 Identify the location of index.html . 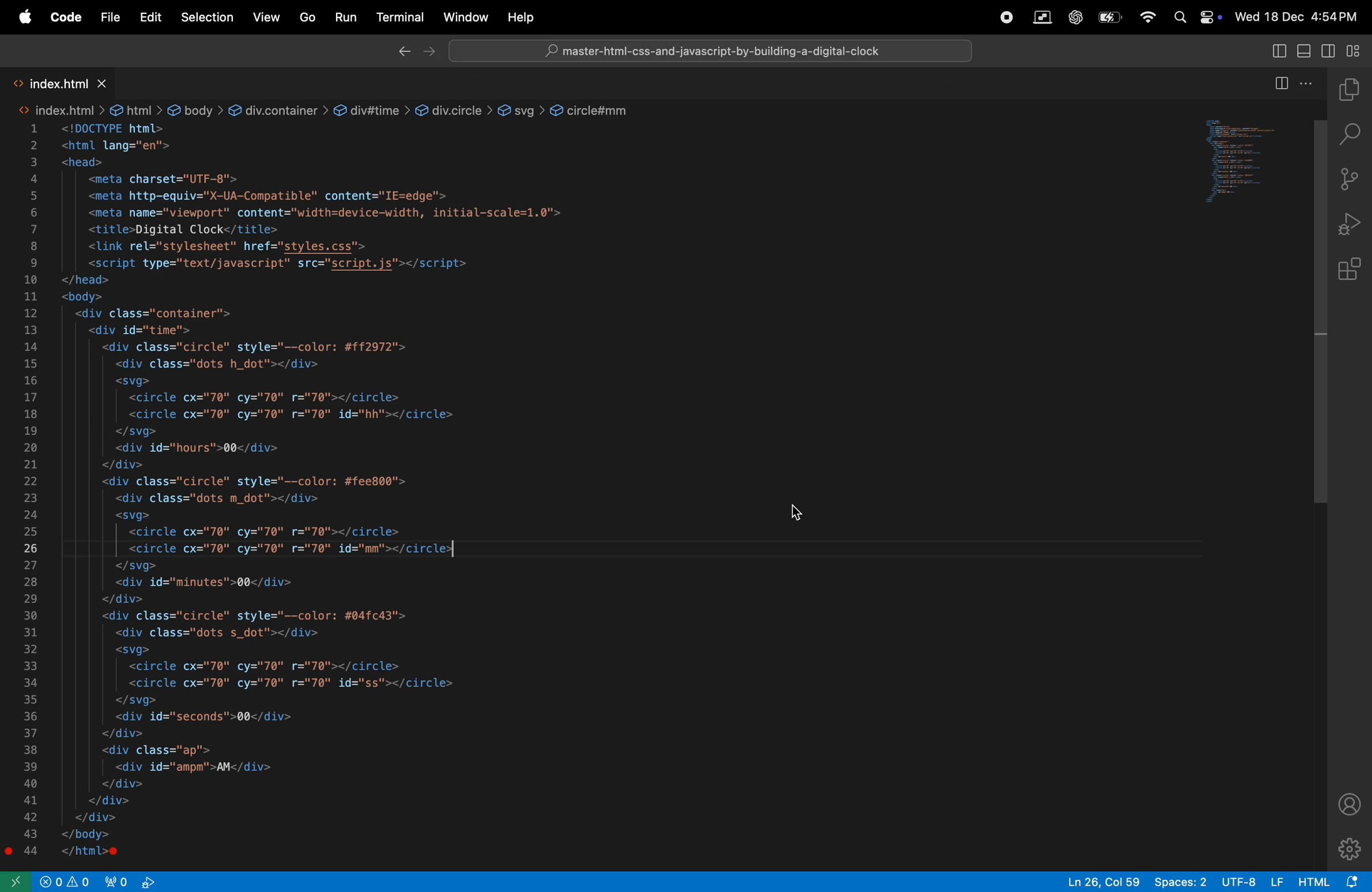
(89, 84).